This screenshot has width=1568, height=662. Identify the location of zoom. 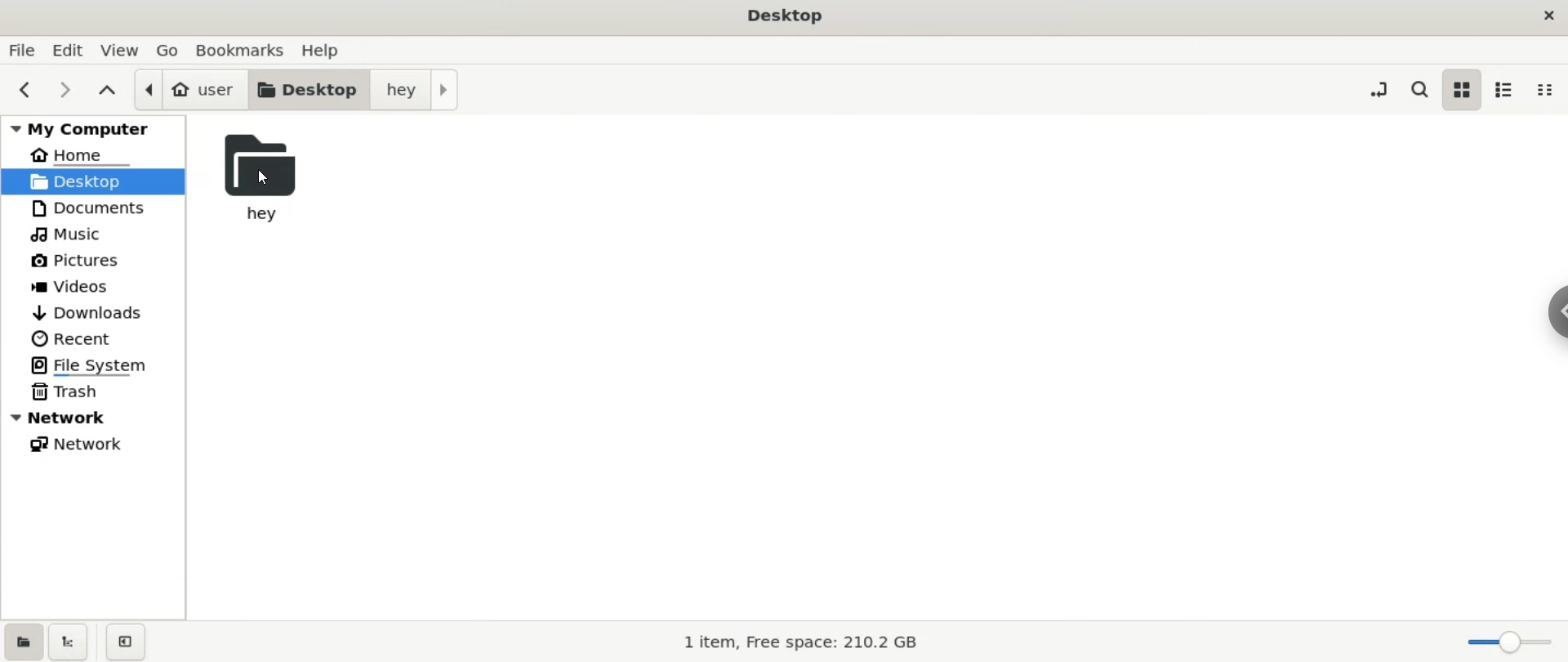
(1506, 641).